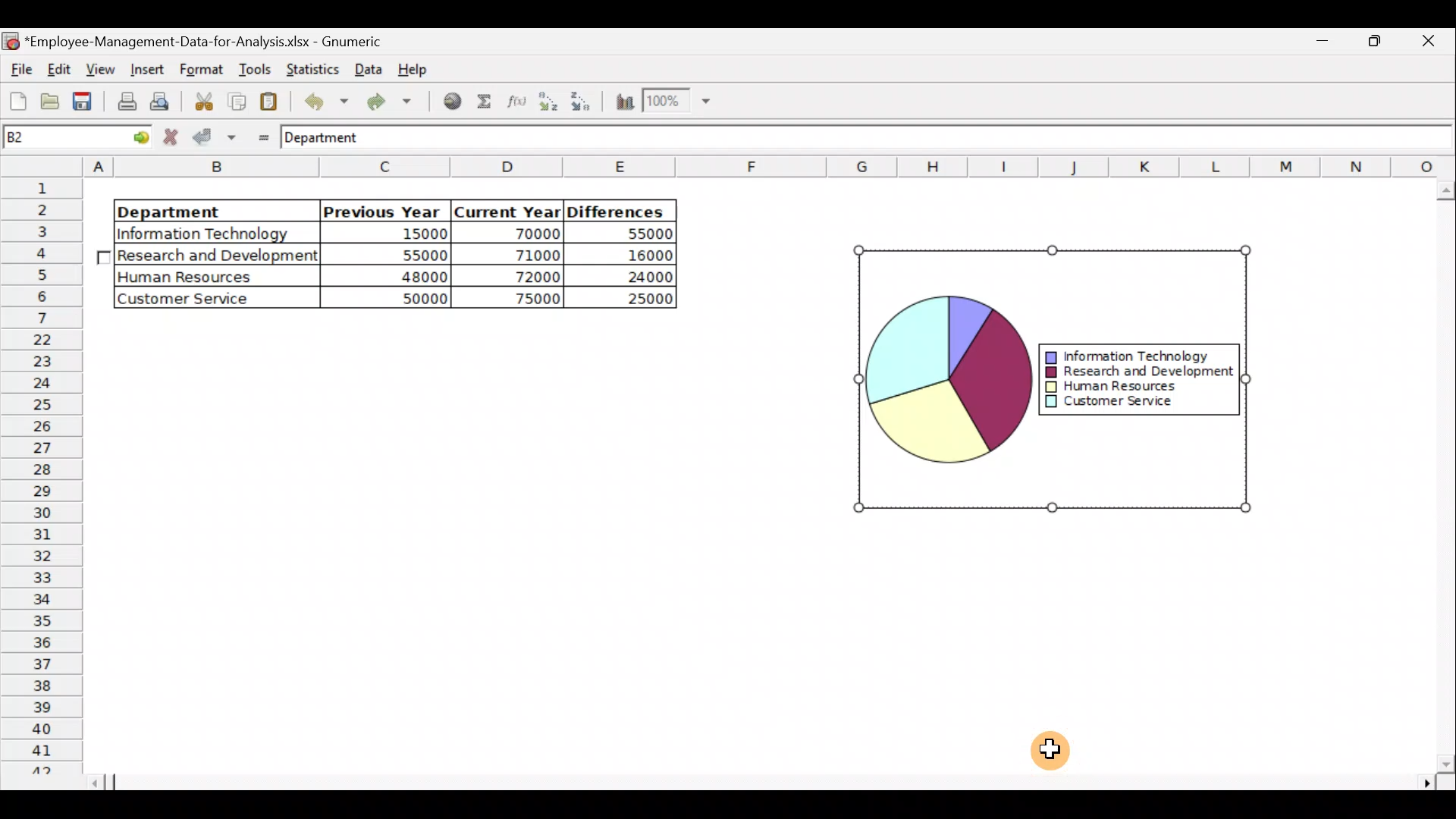  What do you see at coordinates (508, 211) in the screenshot?
I see `Current Year` at bounding box center [508, 211].